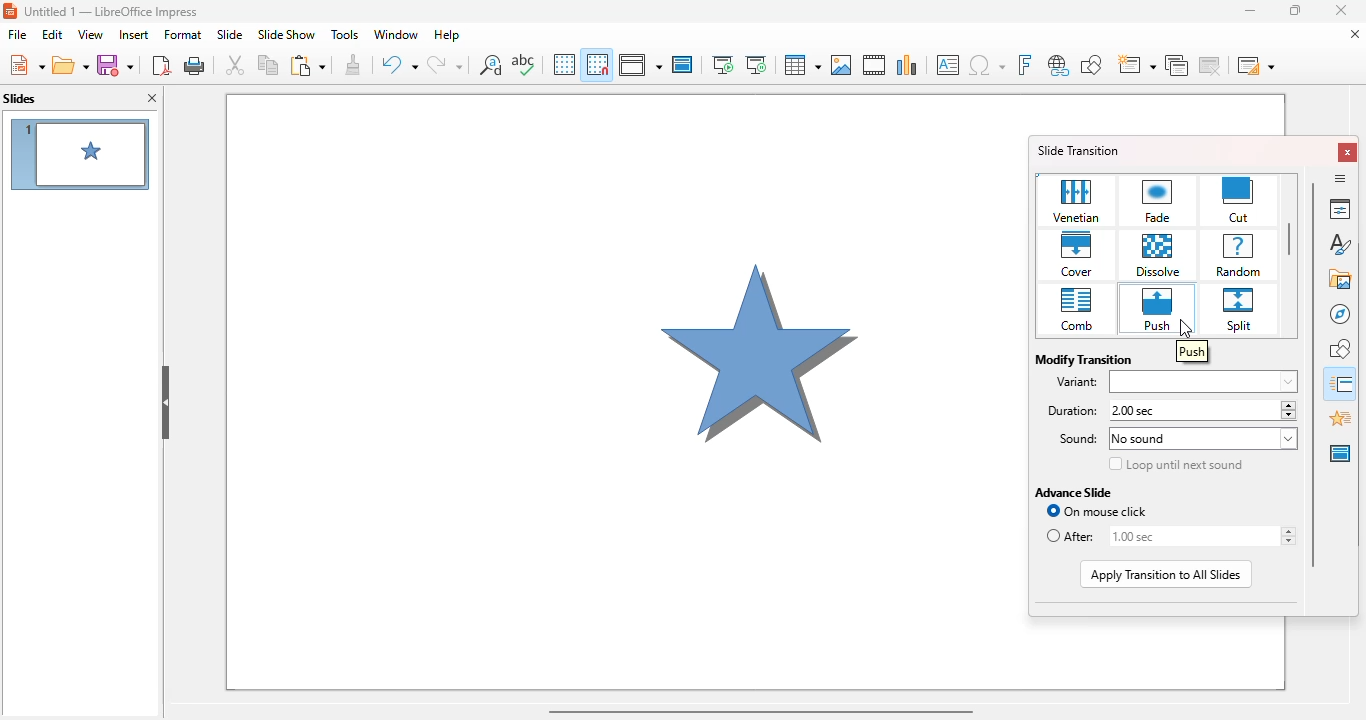 The height and width of the screenshot is (720, 1366). Describe the element at coordinates (875, 65) in the screenshot. I see `insert audio or video` at that location.